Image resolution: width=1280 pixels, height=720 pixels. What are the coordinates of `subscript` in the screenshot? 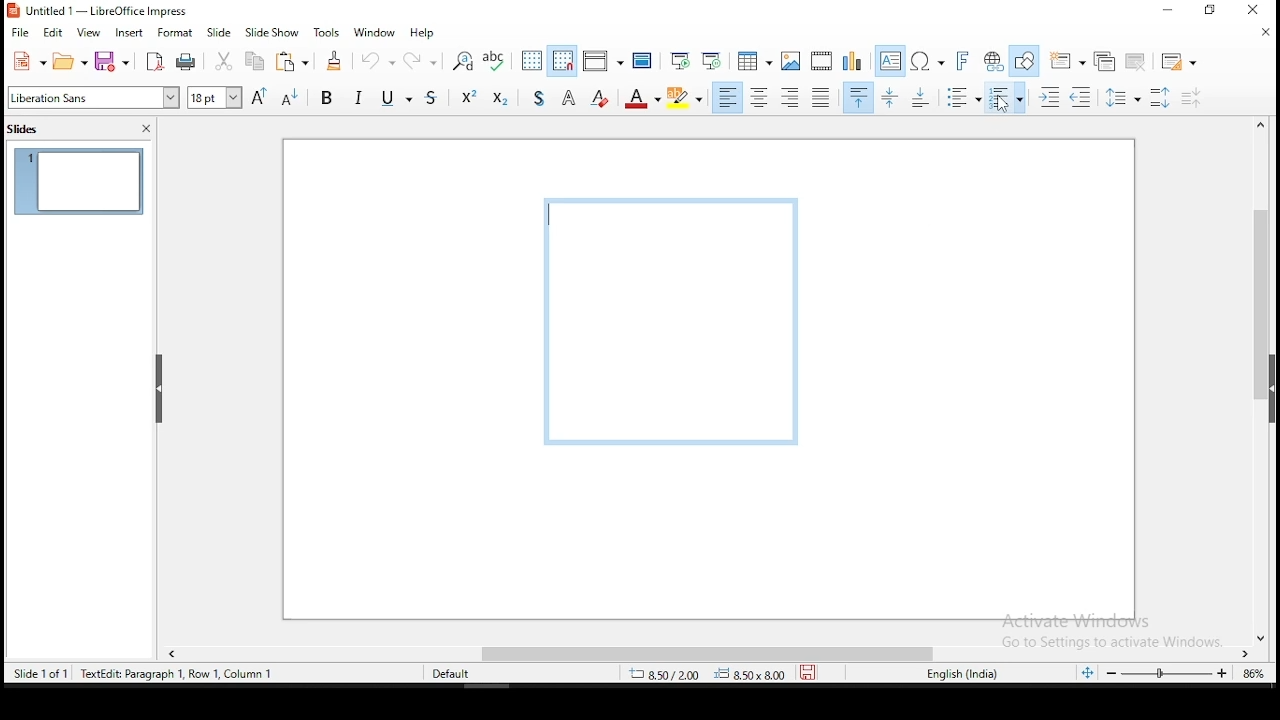 It's located at (502, 99).